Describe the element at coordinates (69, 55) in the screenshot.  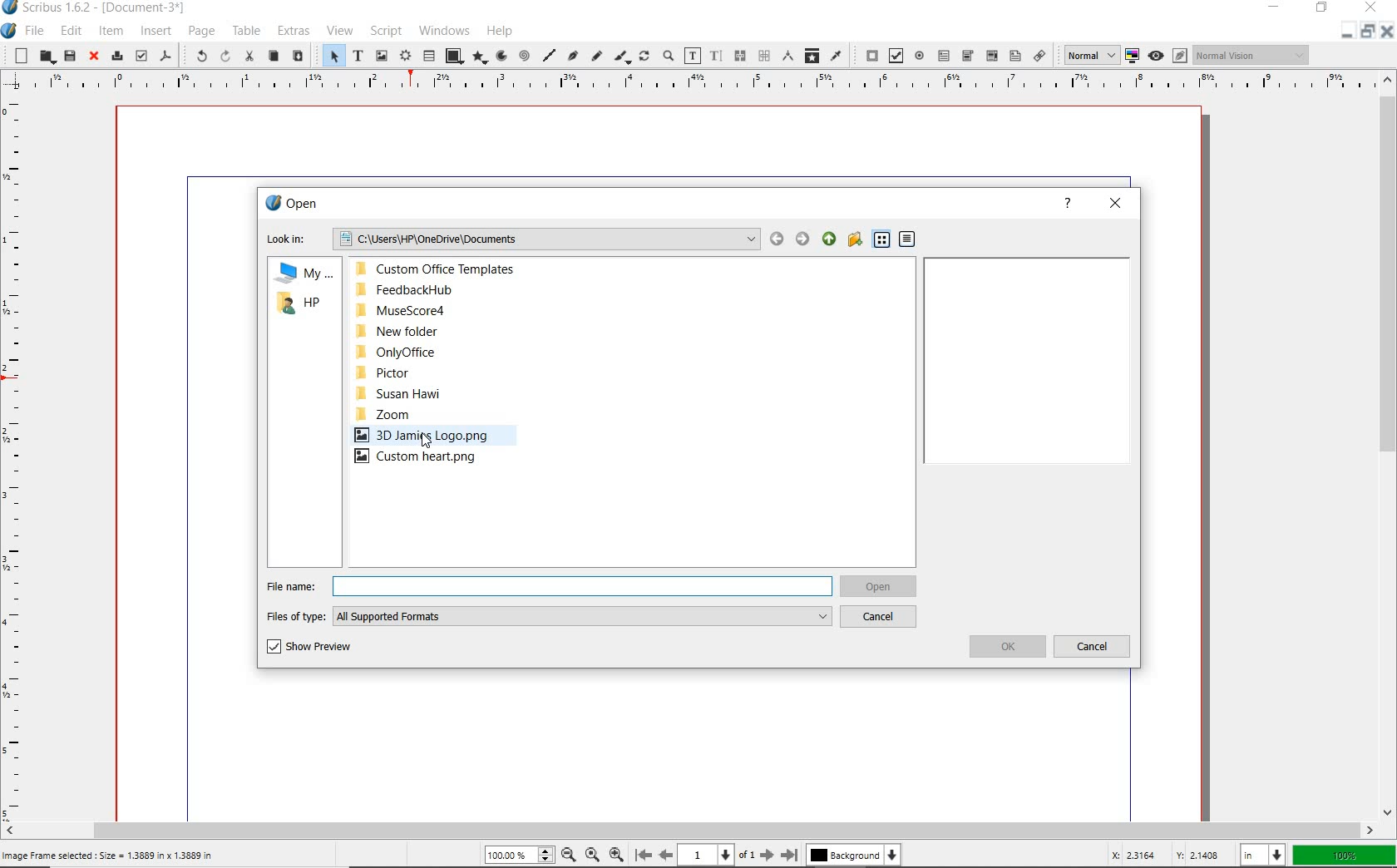
I see `save` at that location.